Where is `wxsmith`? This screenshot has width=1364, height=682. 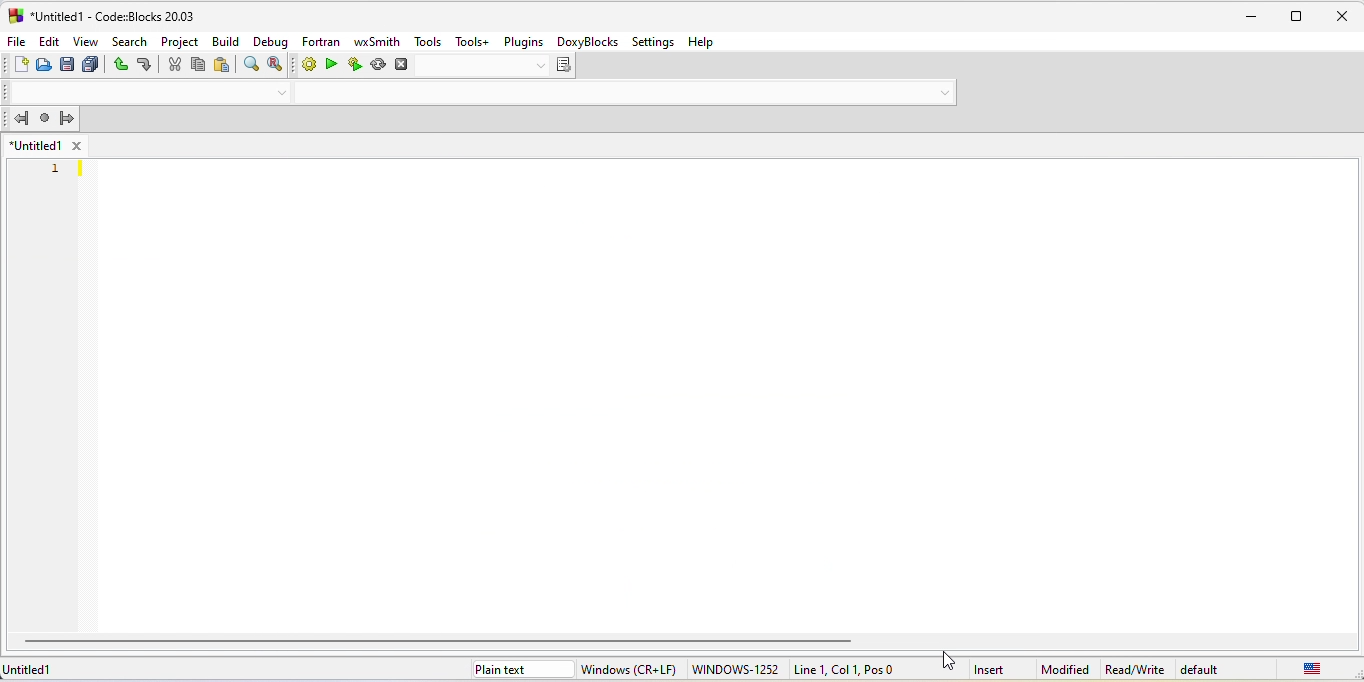 wxsmith is located at coordinates (376, 41).